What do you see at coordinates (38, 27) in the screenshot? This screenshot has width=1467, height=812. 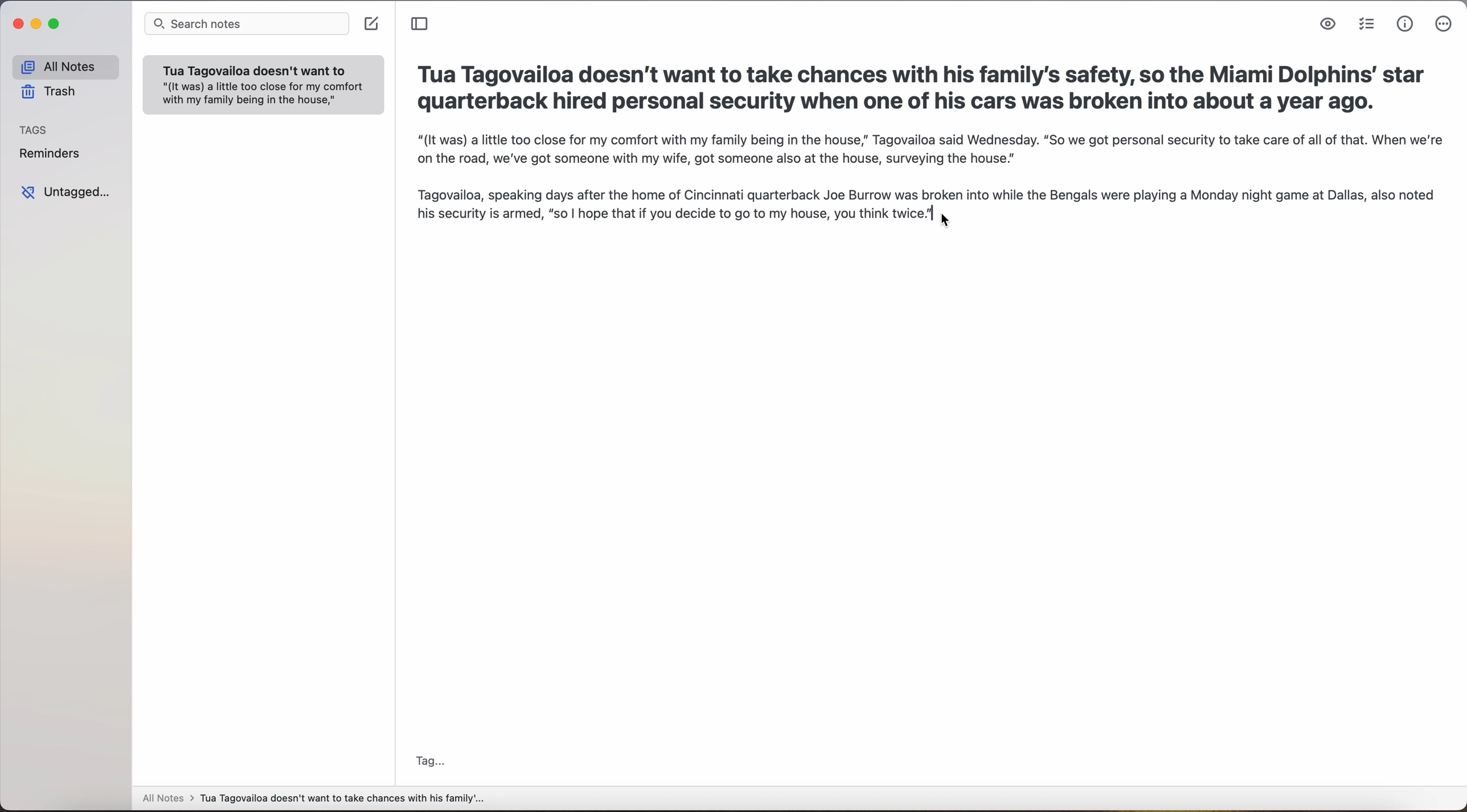 I see `minimize` at bounding box center [38, 27].